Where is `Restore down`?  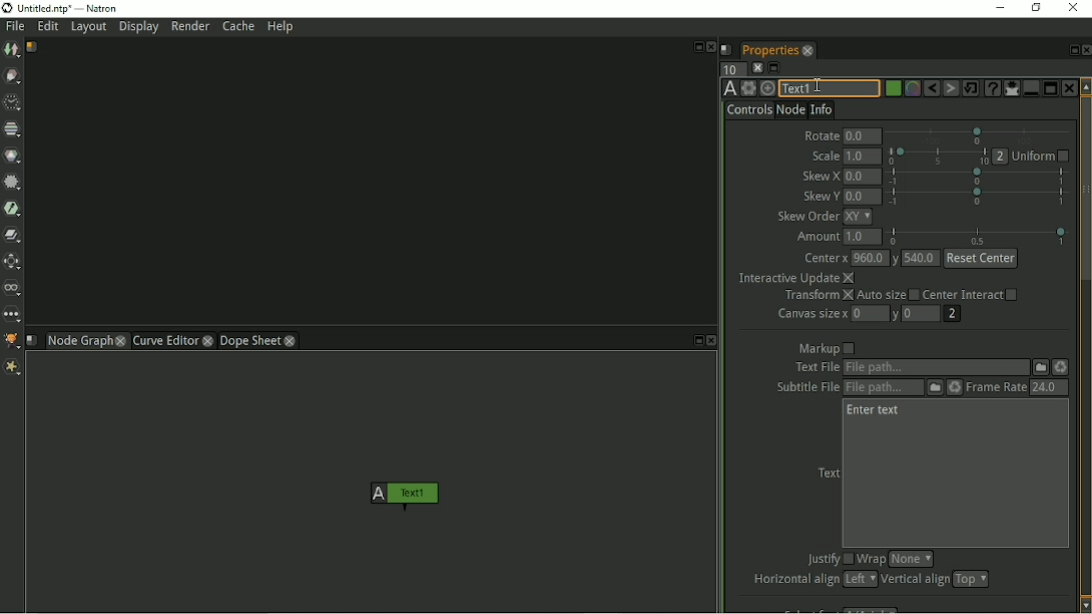 Restore down is located at coordinates (1034, 7).